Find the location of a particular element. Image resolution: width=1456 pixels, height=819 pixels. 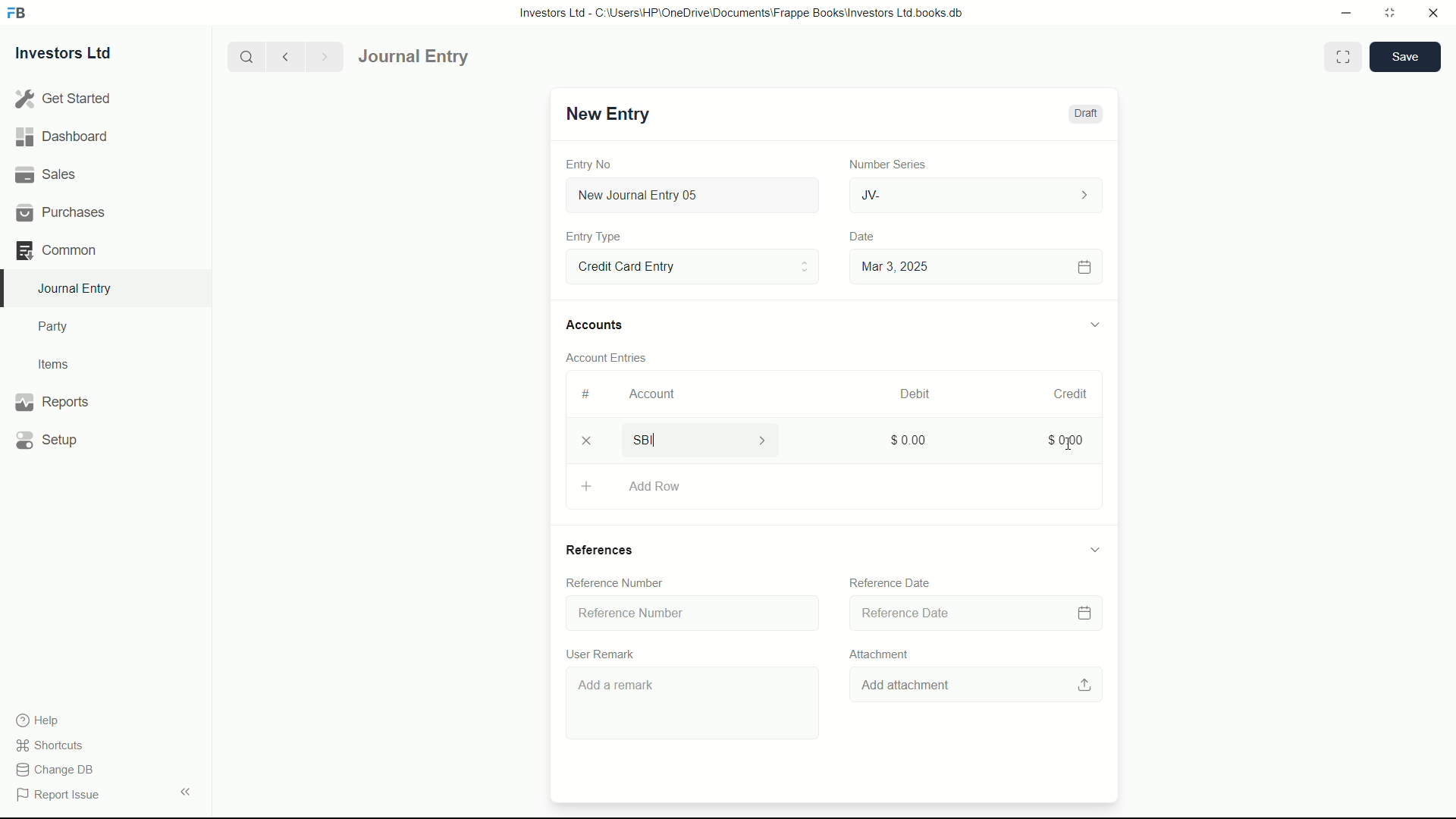

Account Entries is located at coordinates (613, 355).